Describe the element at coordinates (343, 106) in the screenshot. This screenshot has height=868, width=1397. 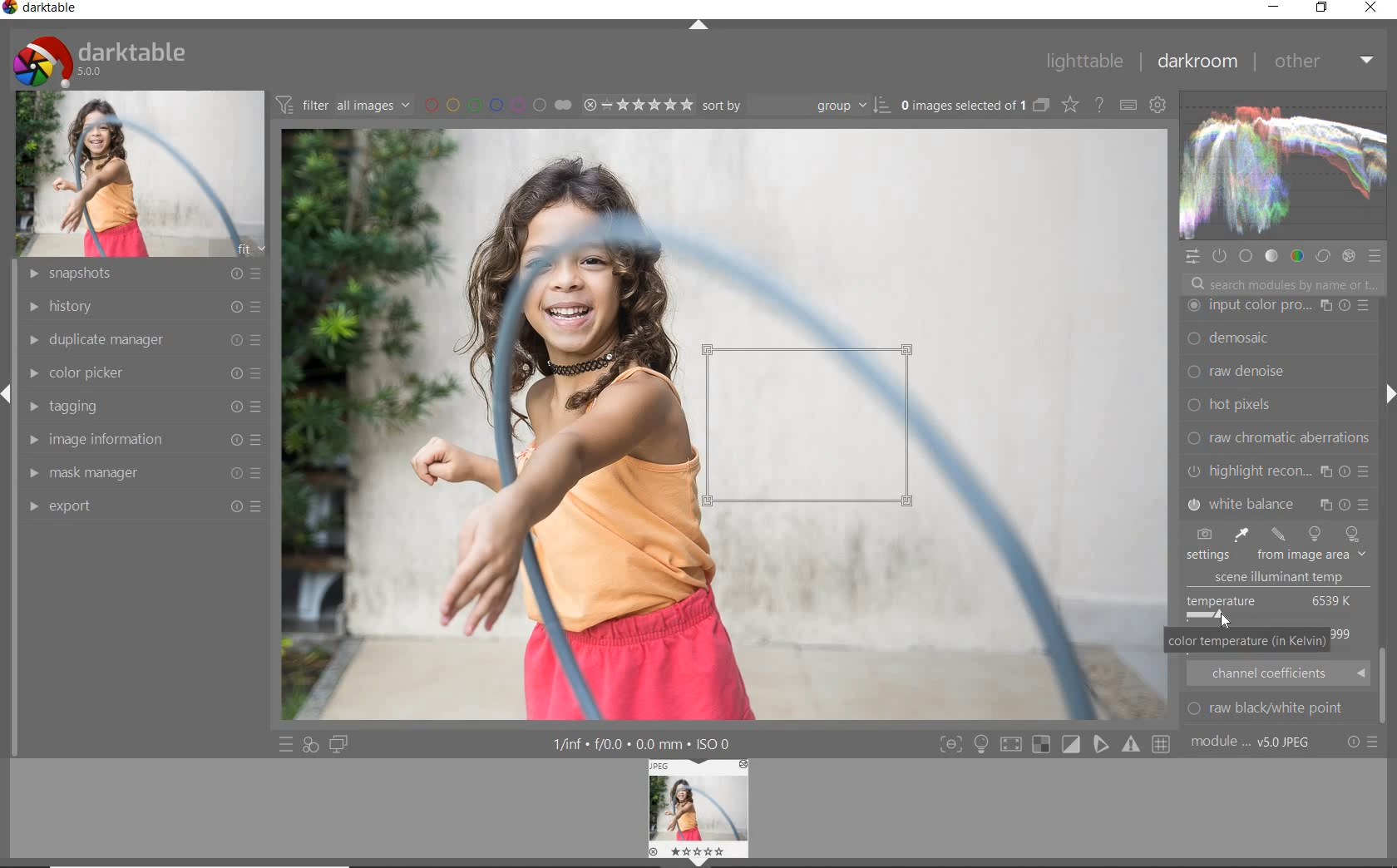
I see `filter images` at that location.